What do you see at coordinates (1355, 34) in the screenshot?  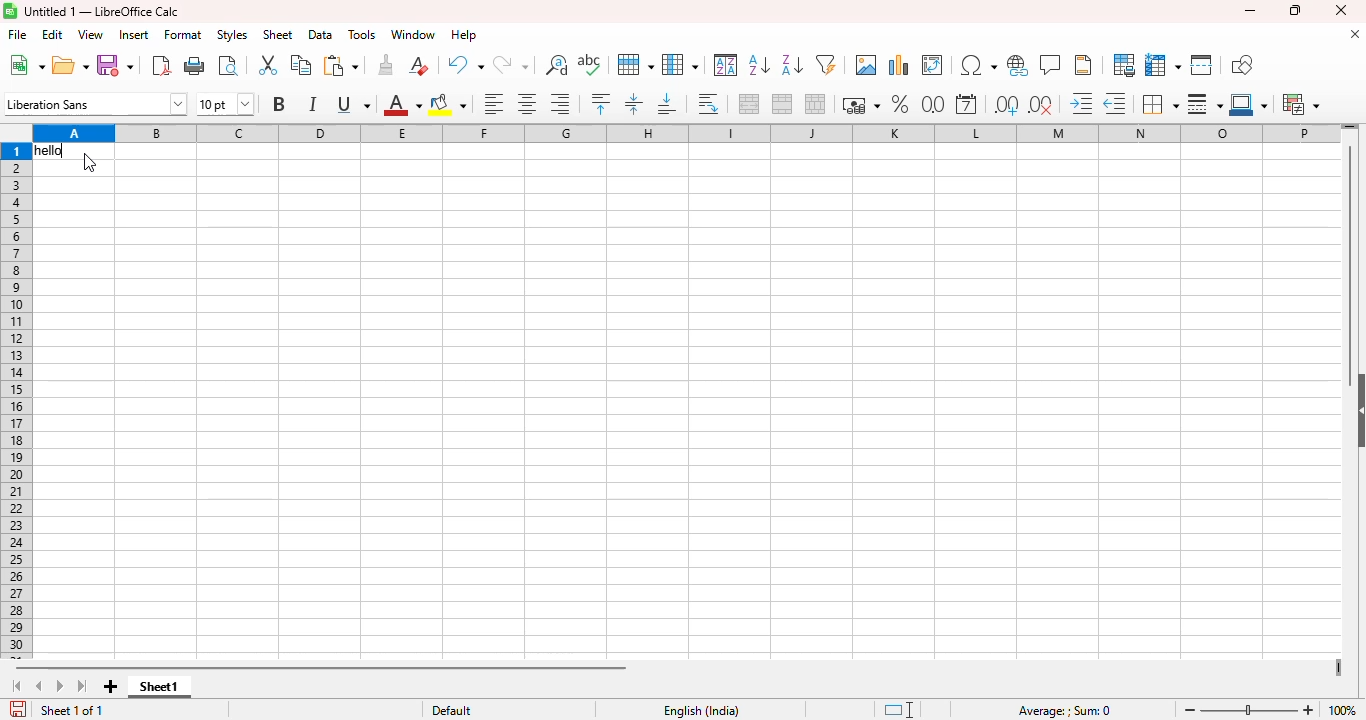 I see `close document` at bounding box center [1355, 34].